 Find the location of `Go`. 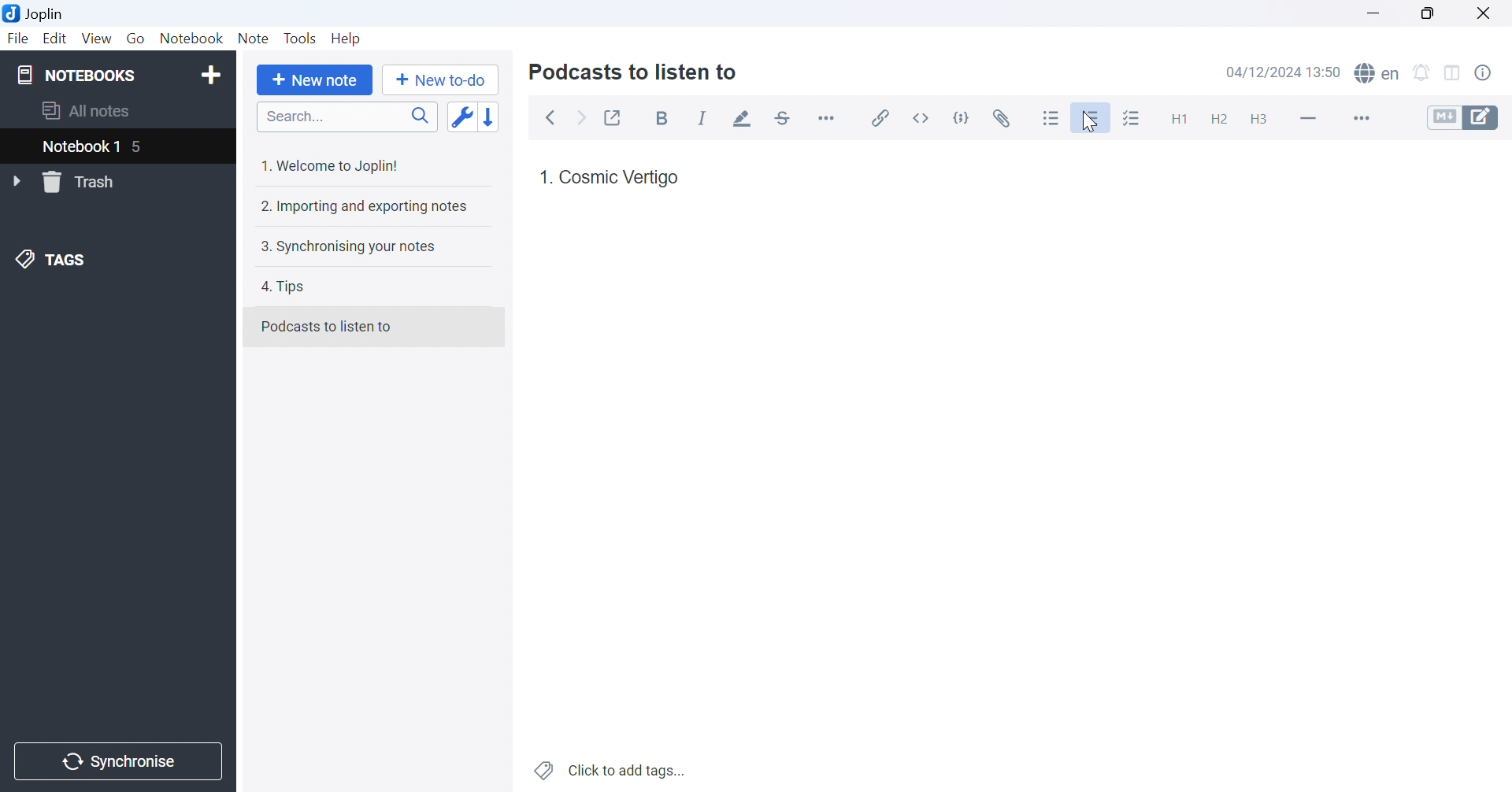

Go is located at coordinates (135, 38).